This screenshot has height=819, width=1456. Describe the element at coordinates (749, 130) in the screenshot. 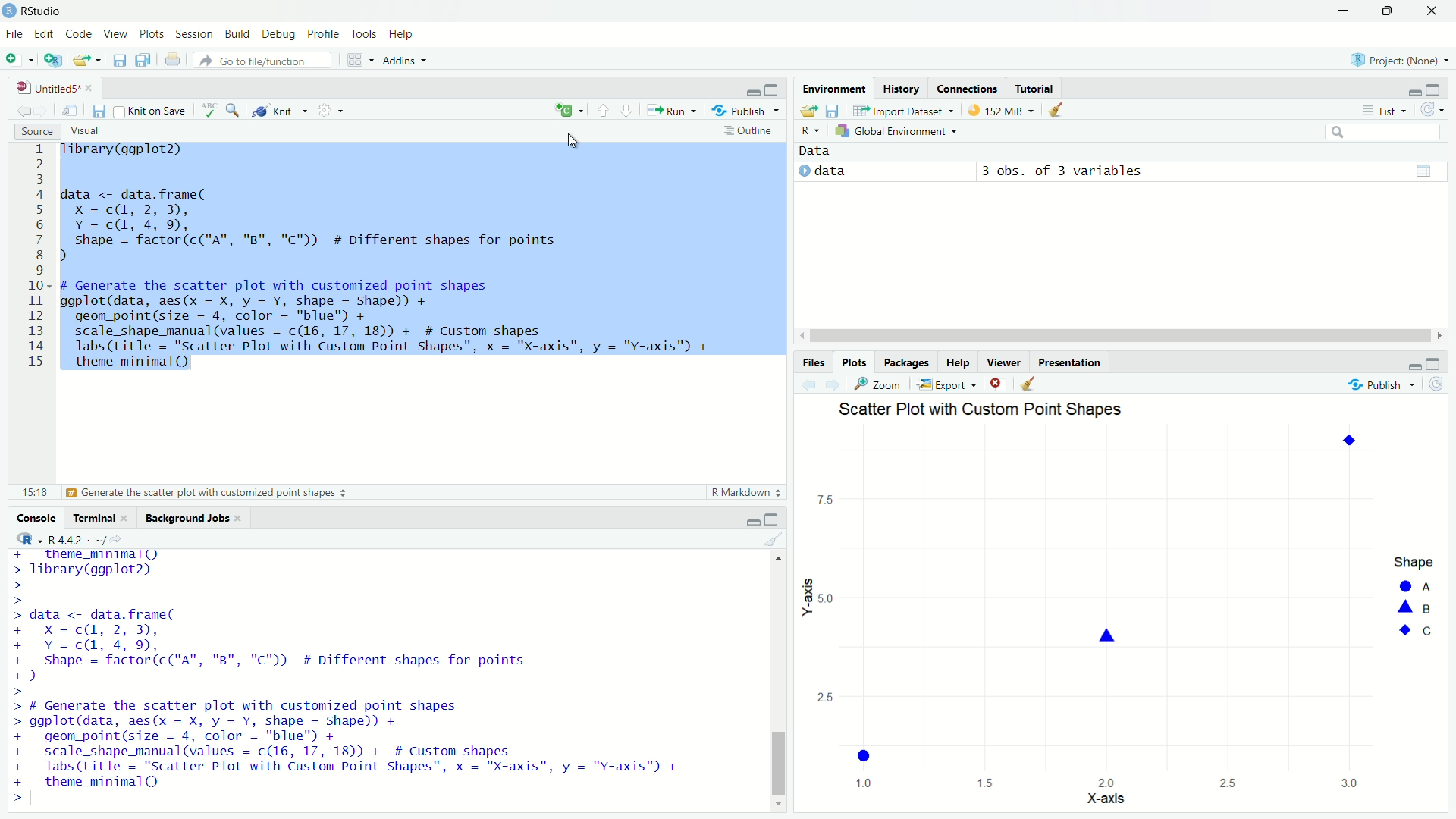

I see `Outline` at that location.